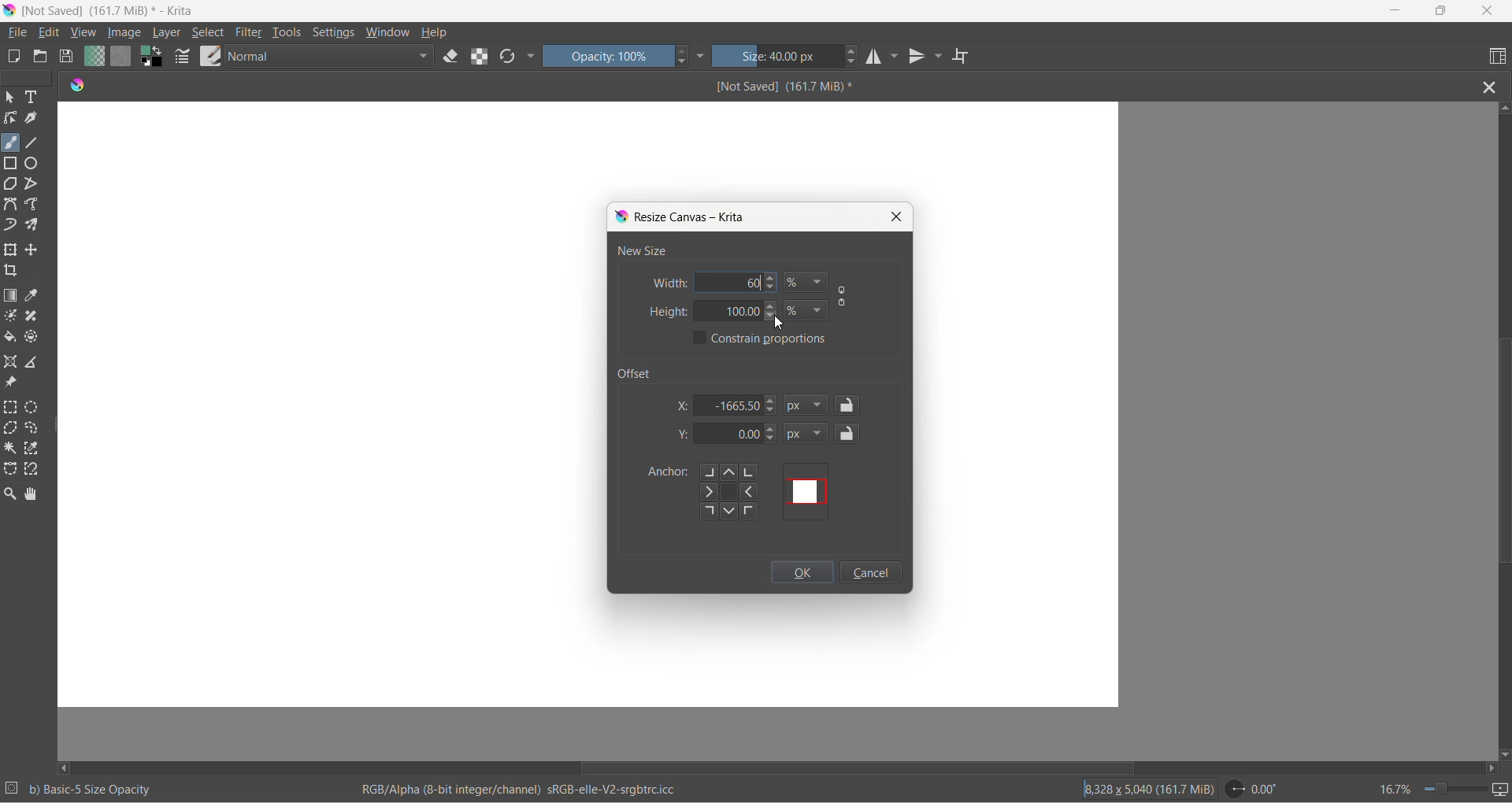  What do you see at coordinates (31, 118) in the screenshot?
I see `calligraphy` at bounding box center [31, 118].